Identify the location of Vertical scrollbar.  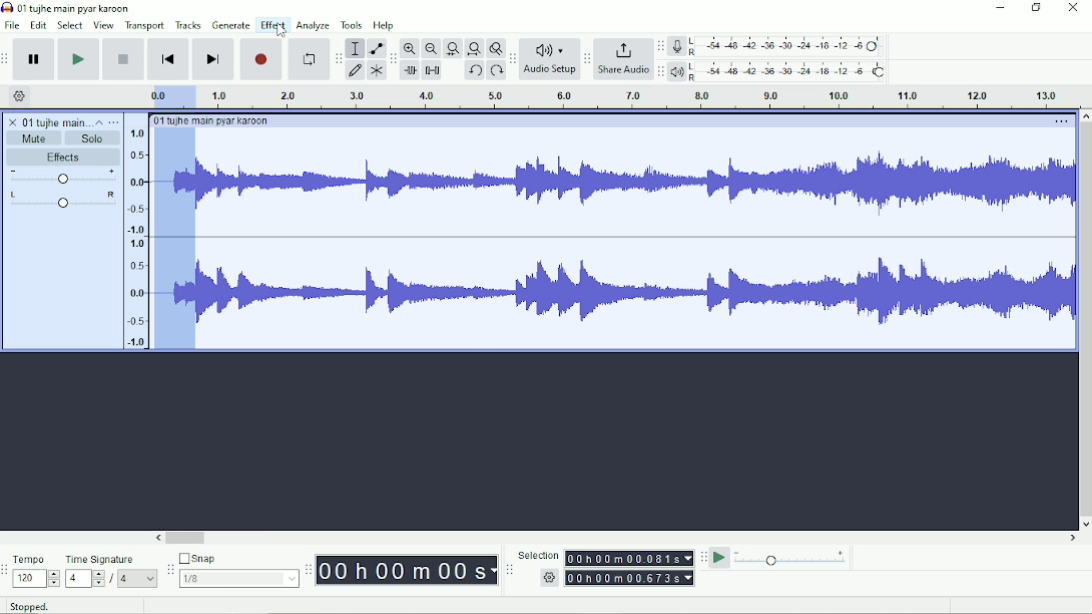
(1084, 320).